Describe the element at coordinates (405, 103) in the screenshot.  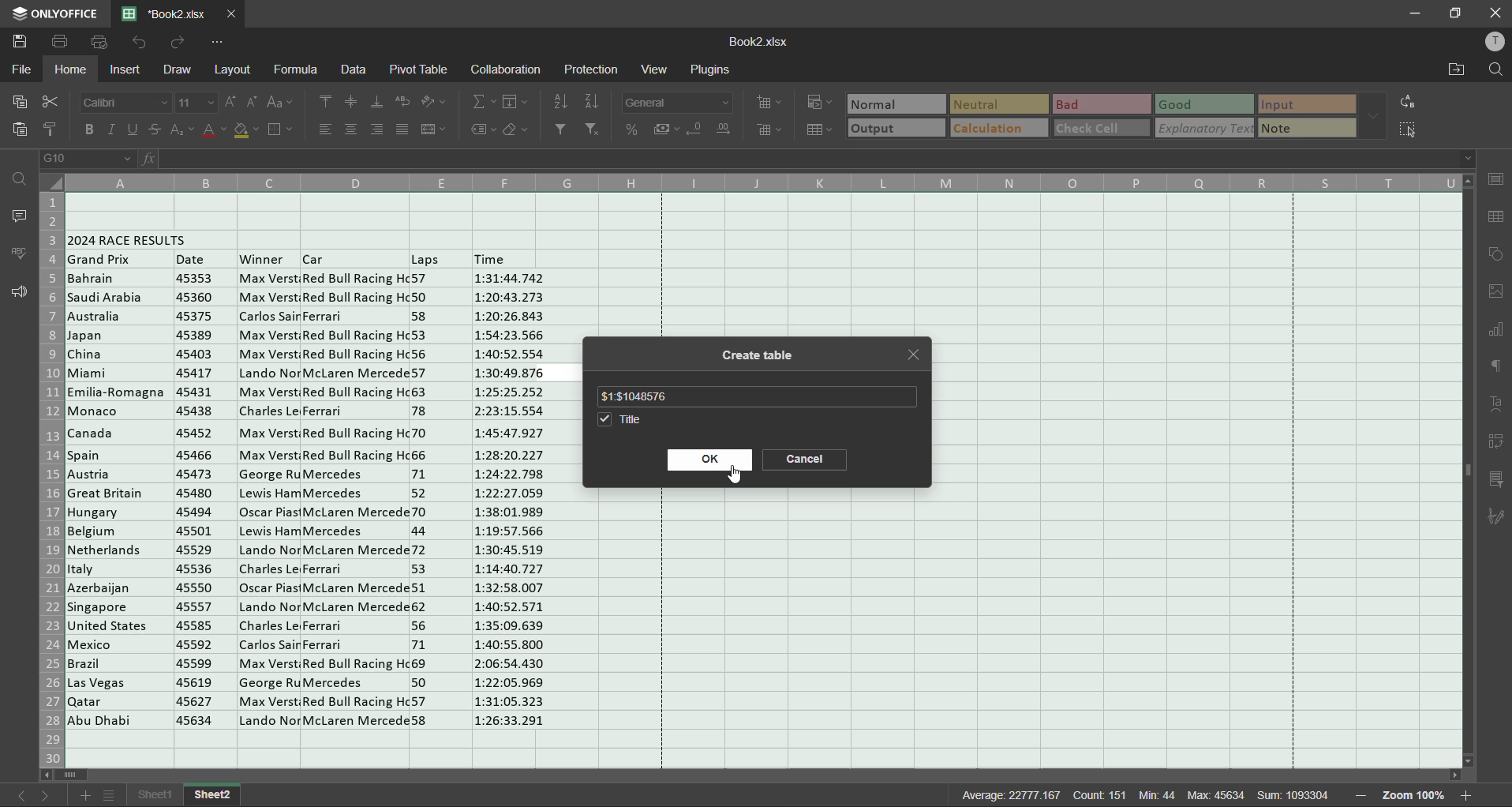
I see `wrap text` at that location.